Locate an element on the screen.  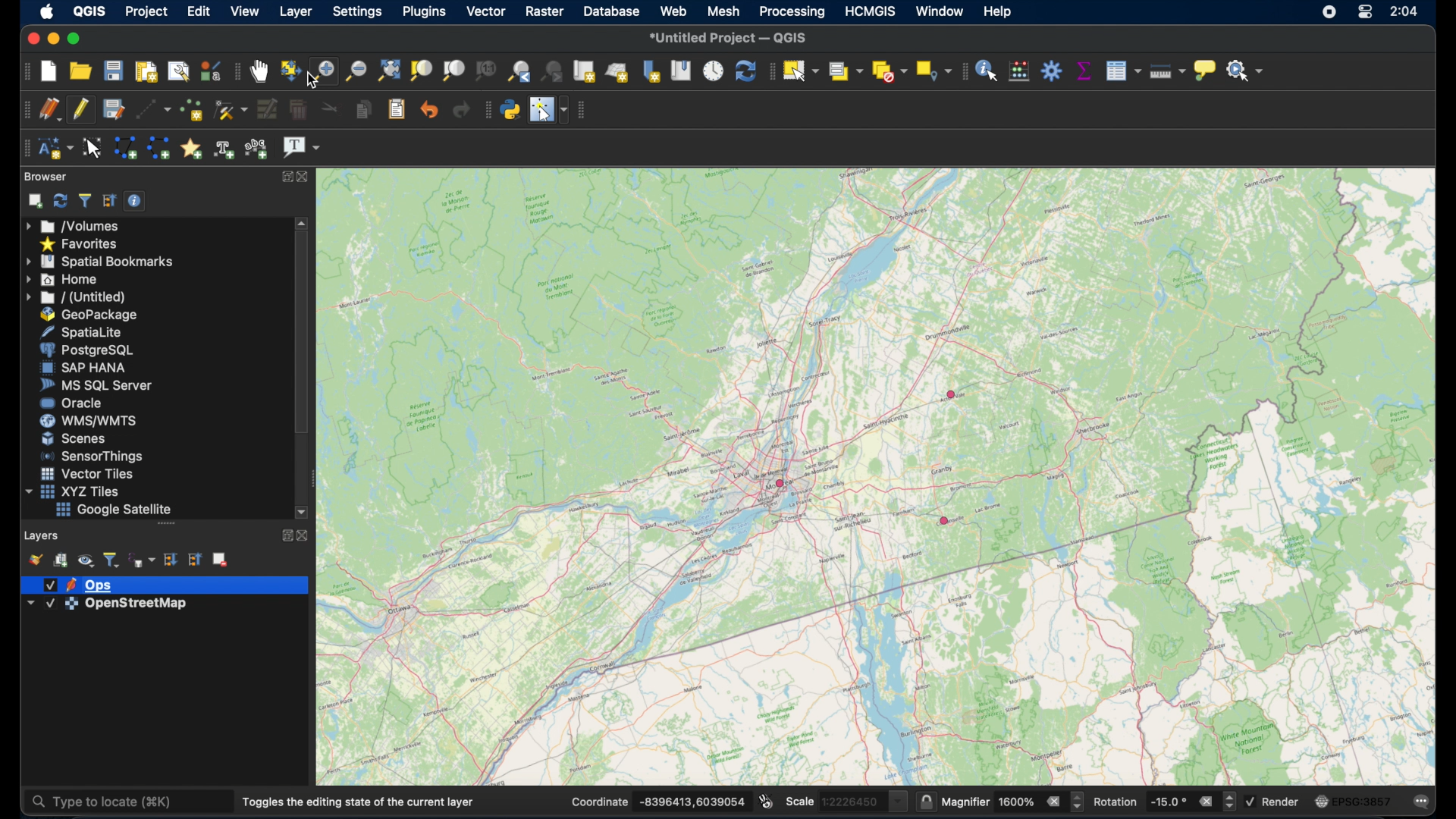
toolbox is located at coordinates (1053, 71).